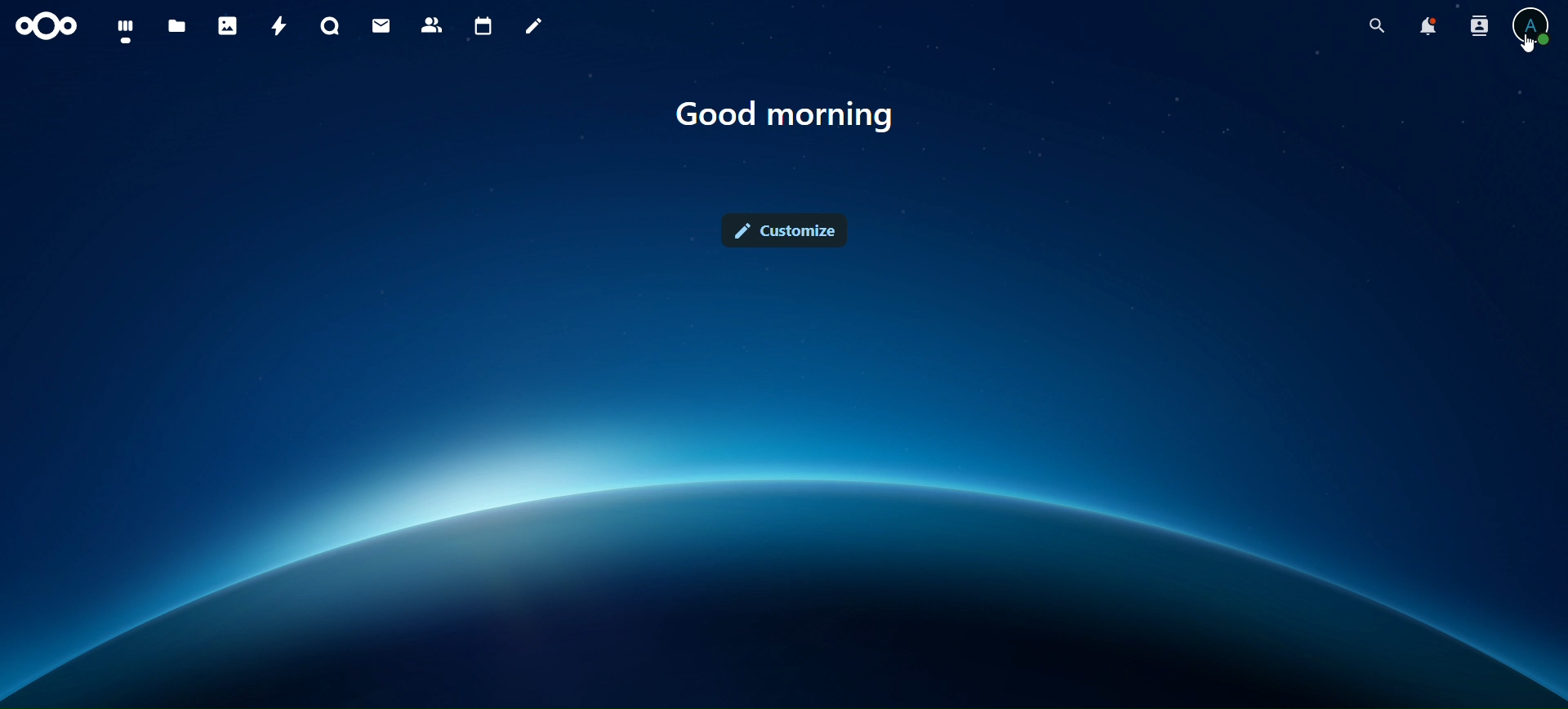 The width and height of the screenshot is (1568, 709). I want to click on customize, so click(788, 231).